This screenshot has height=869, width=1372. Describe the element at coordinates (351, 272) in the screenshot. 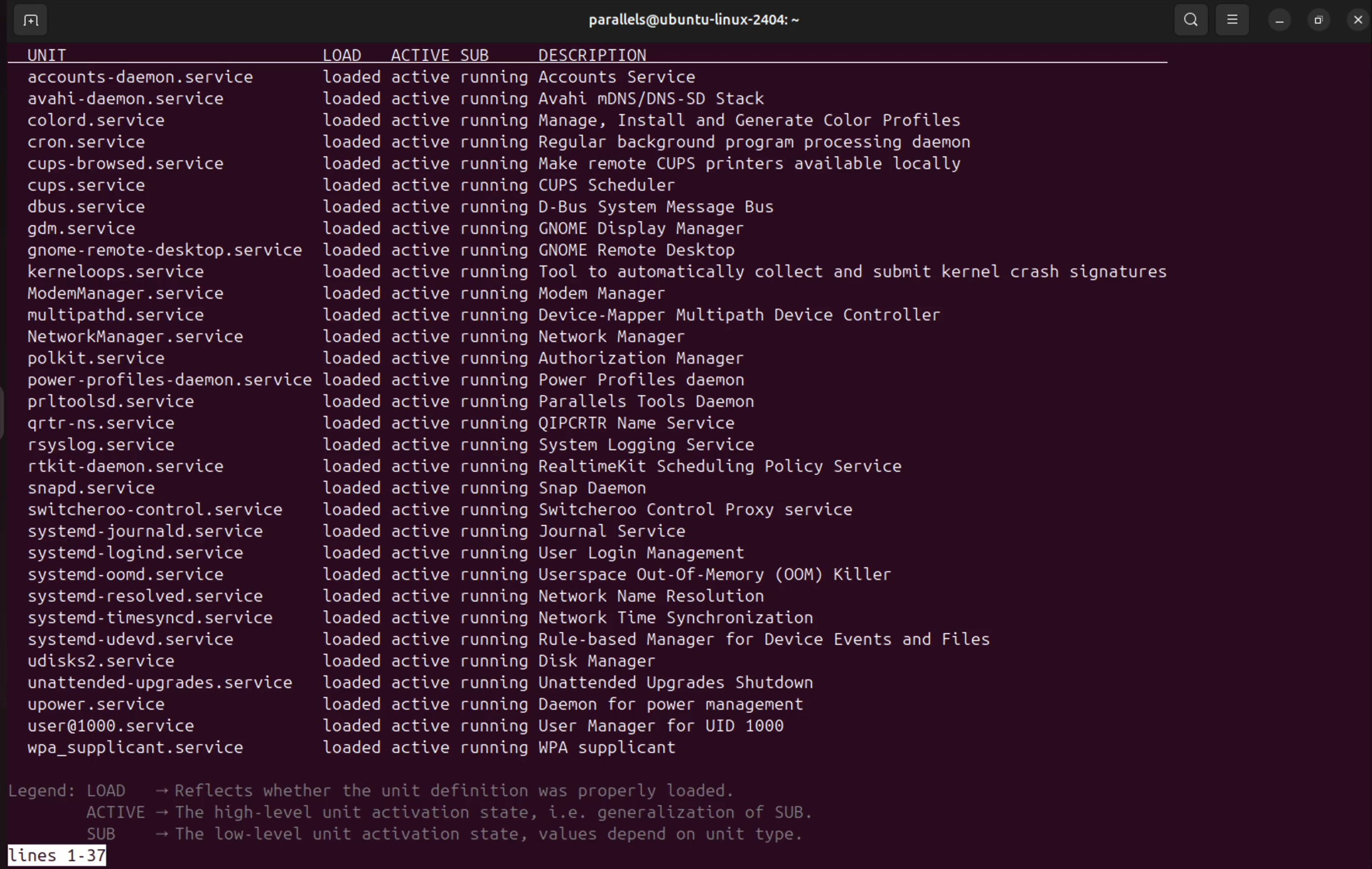

I see `loaded` at that location.